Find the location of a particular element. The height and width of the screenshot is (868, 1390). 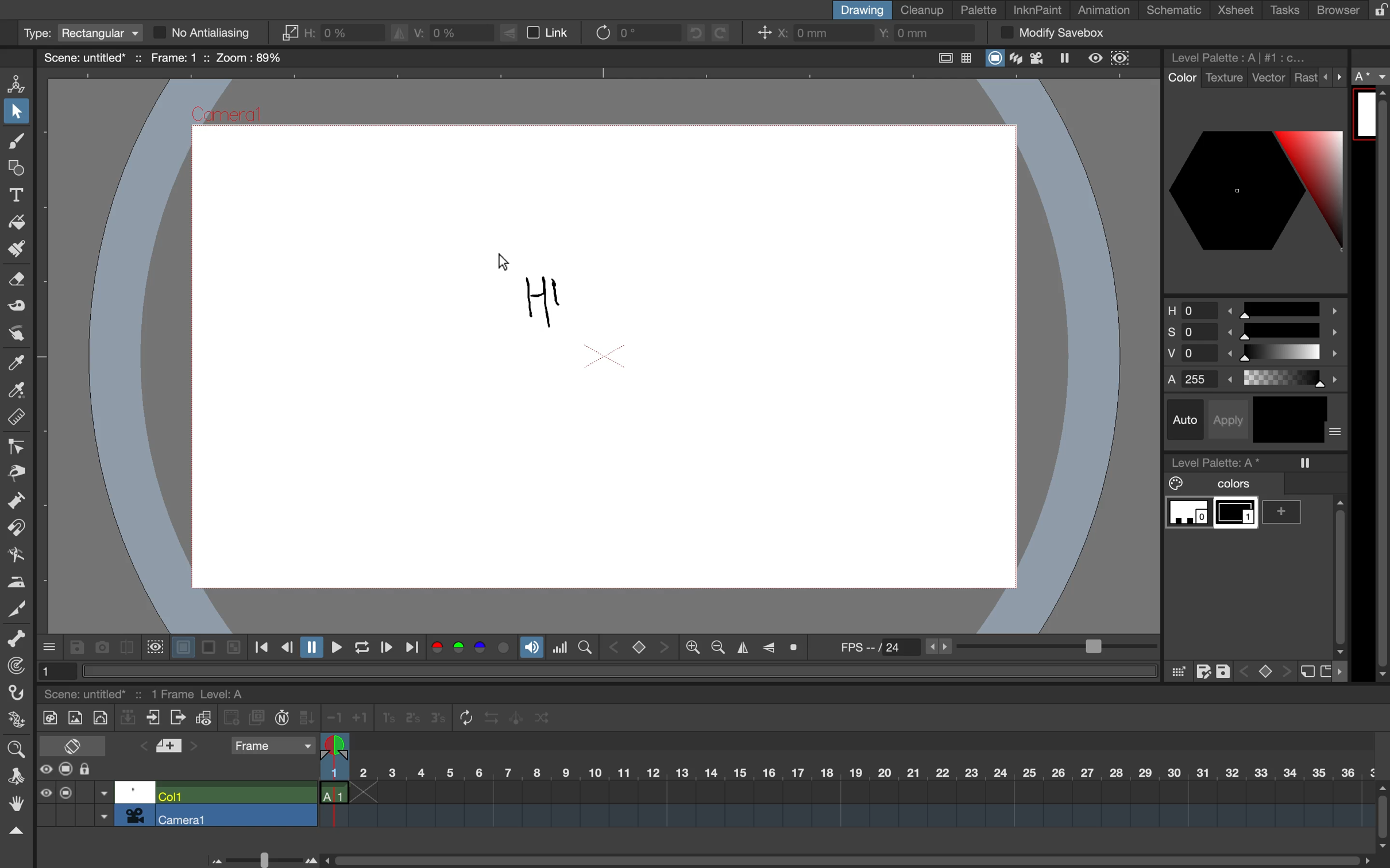

toggle edit in place is located at coordinates (203, 720).